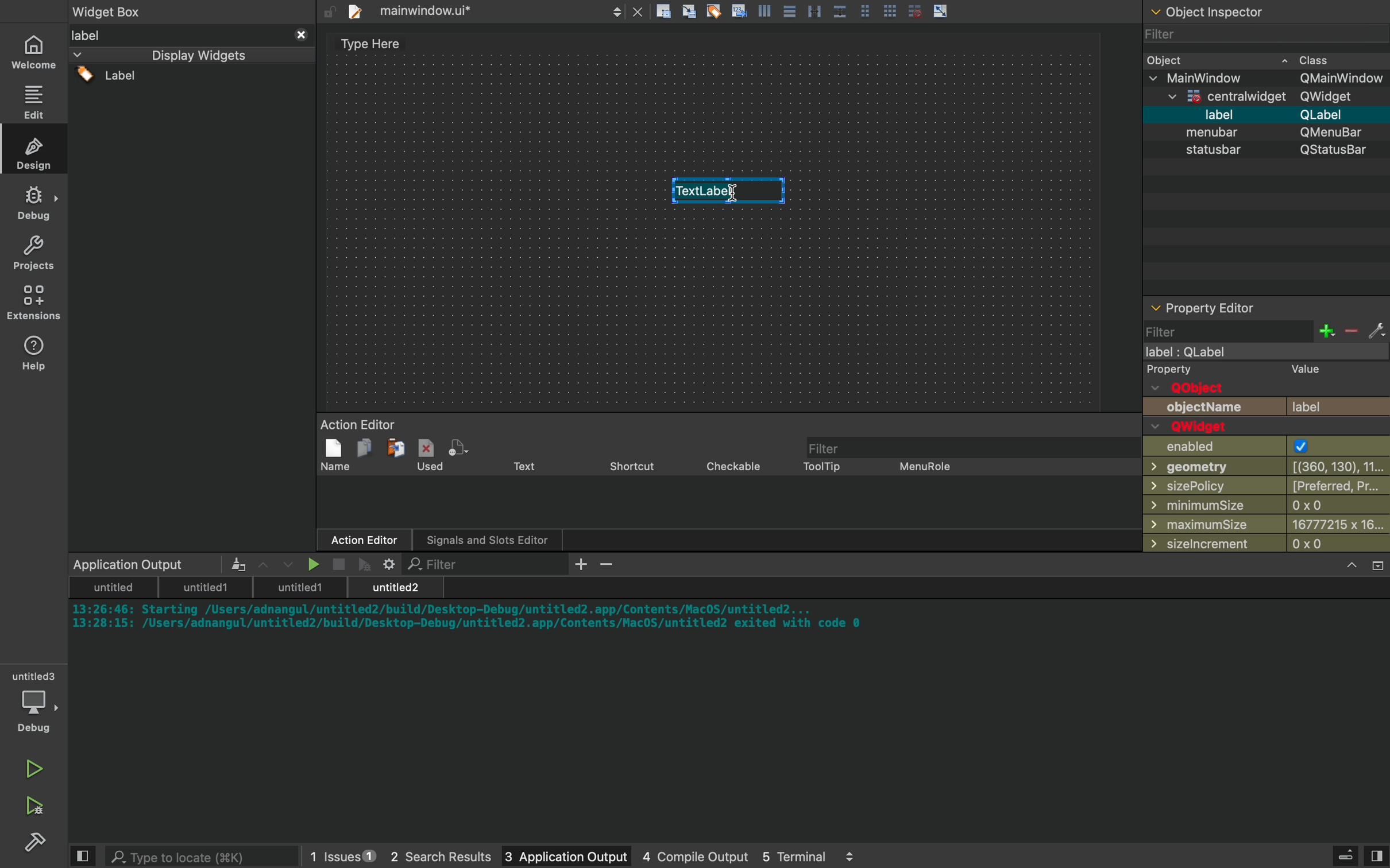 This screenshot has width=1390, height=868. Describe the element at coordinates (36, 52) in the screenshot. I see `home` at that location.